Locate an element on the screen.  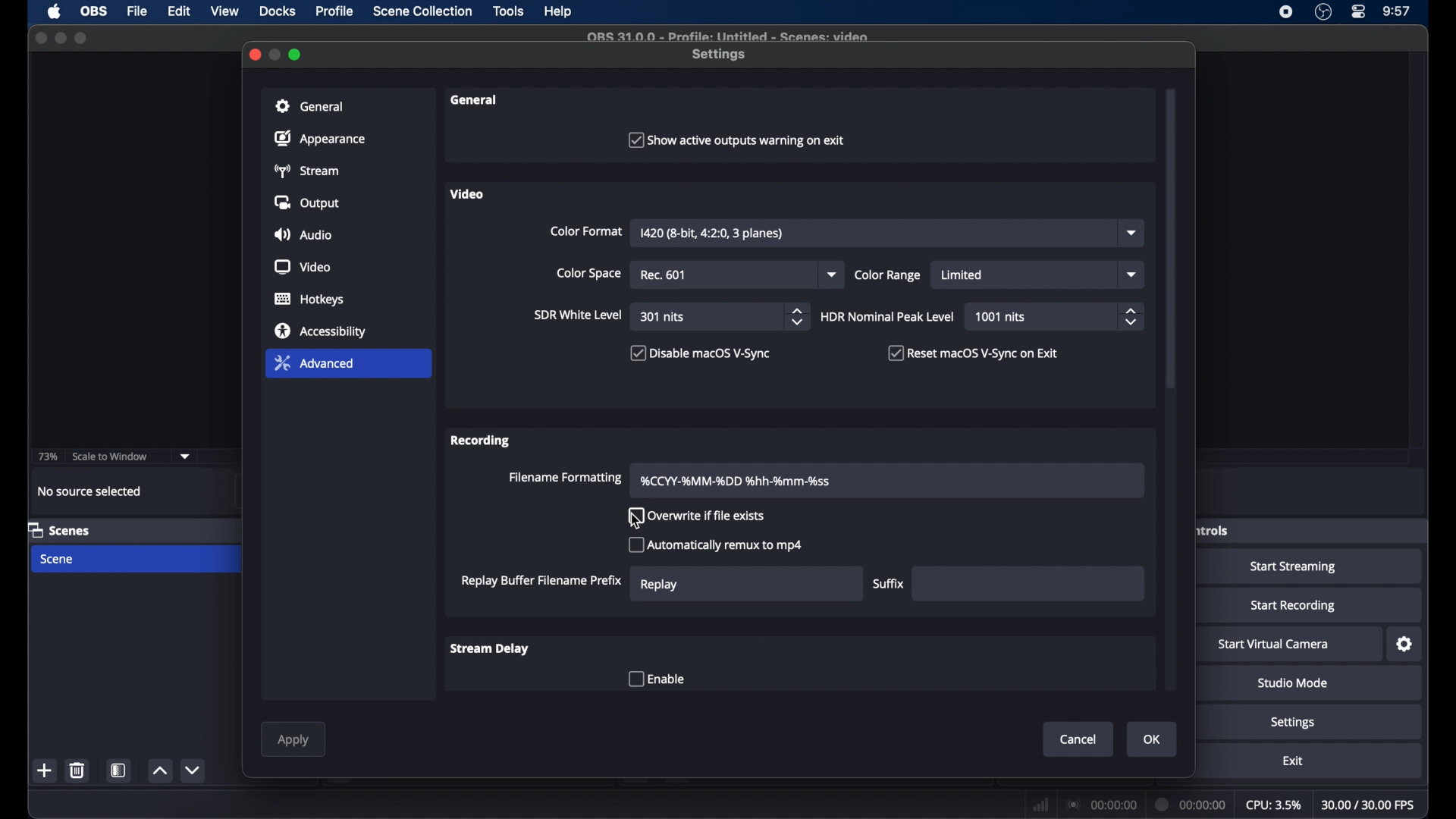
advanced is located at coordinates (313, 362).